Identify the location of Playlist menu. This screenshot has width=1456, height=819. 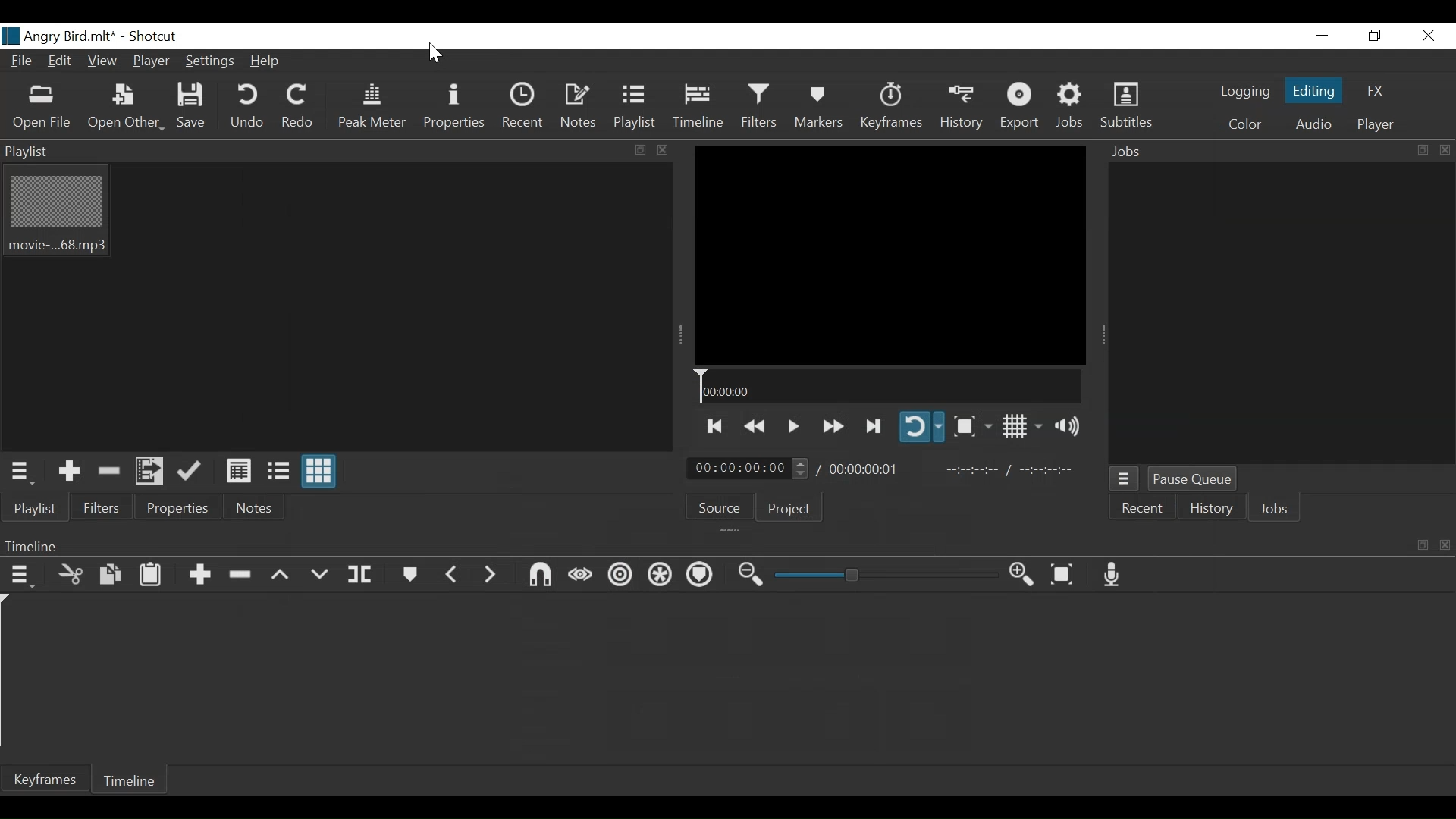
(27, 471).